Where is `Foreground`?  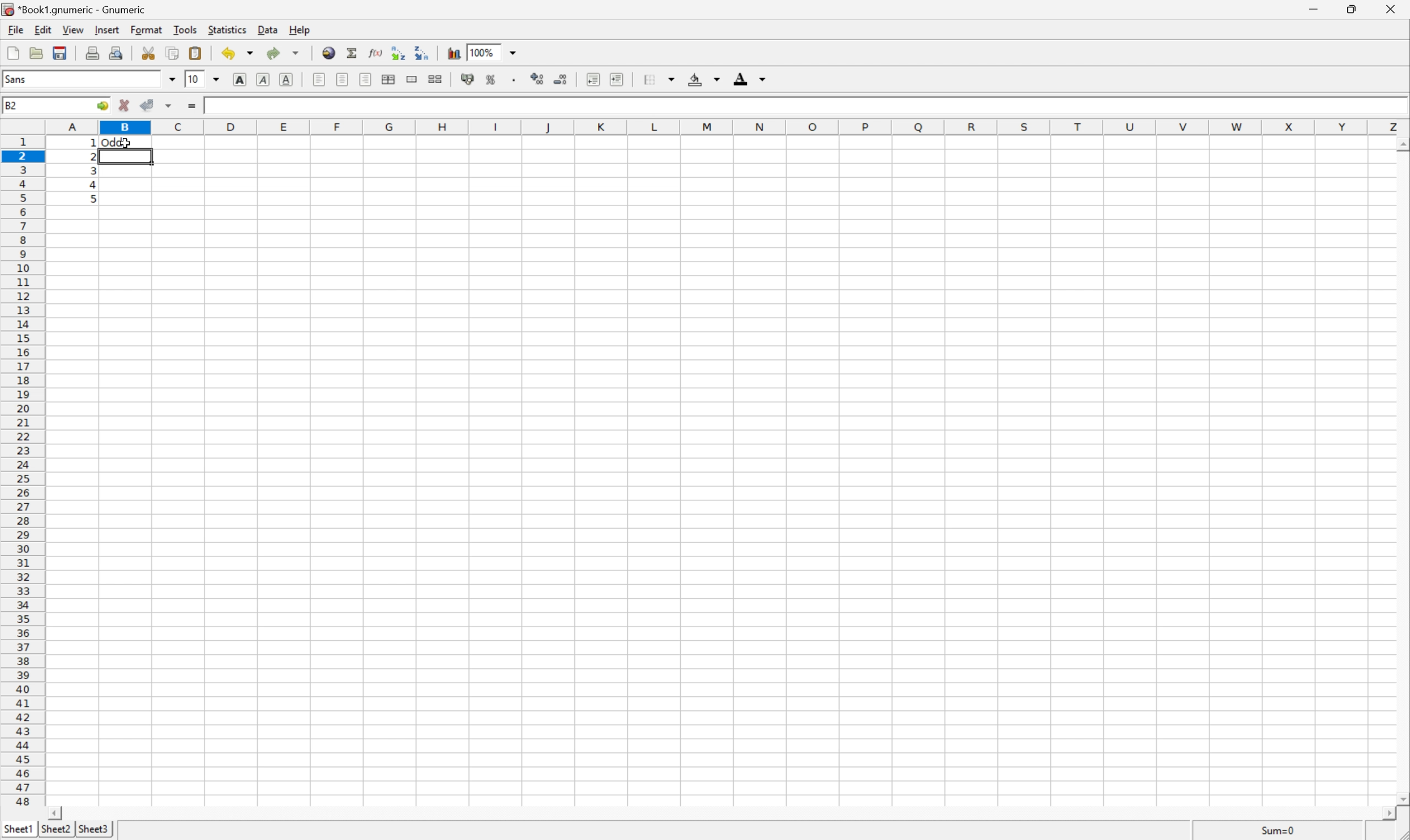
Foreground is located at coordinates (751, 79).